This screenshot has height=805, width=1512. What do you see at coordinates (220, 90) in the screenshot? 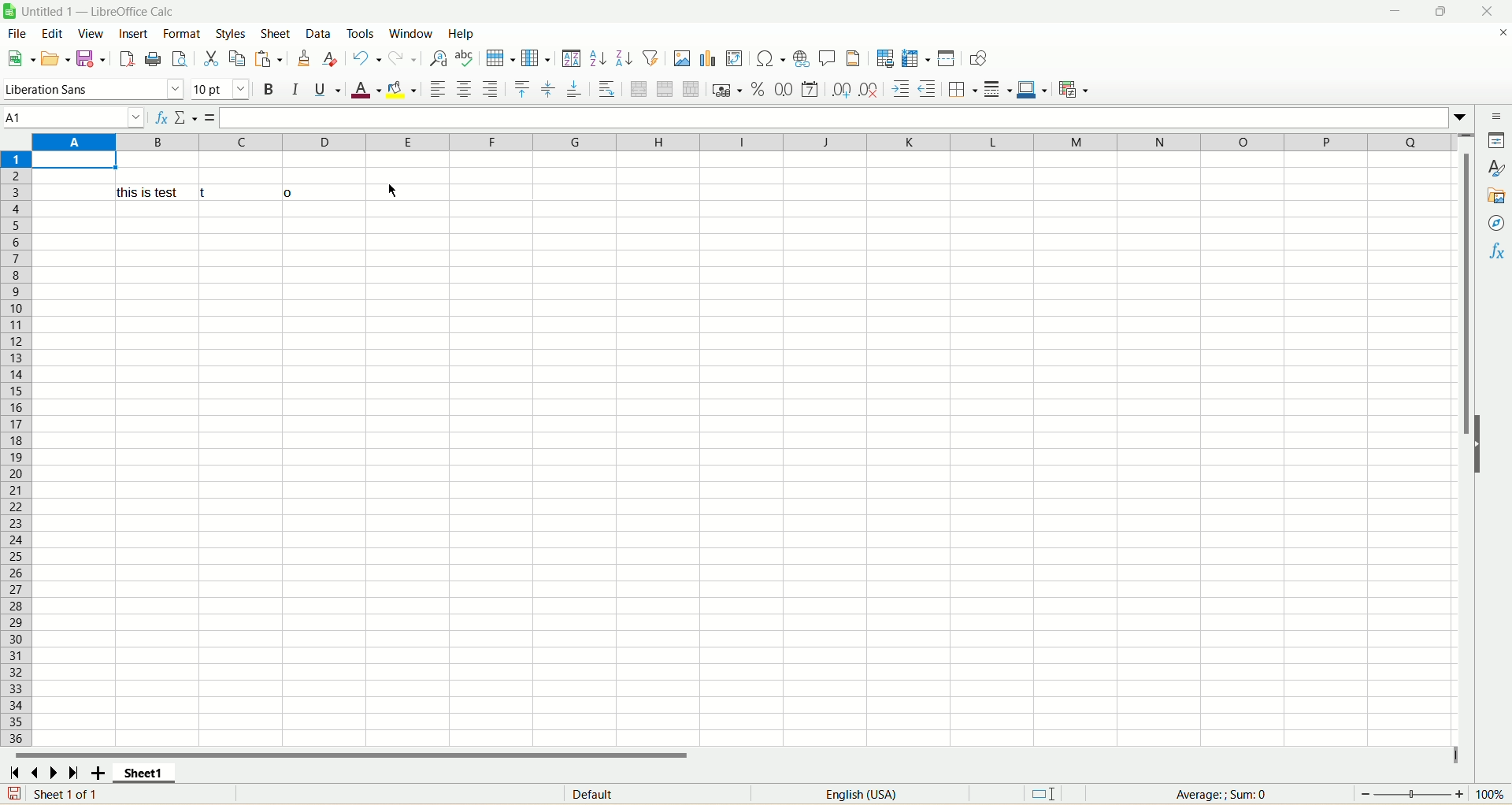
I see `font size` at bounding box center [220, 90].